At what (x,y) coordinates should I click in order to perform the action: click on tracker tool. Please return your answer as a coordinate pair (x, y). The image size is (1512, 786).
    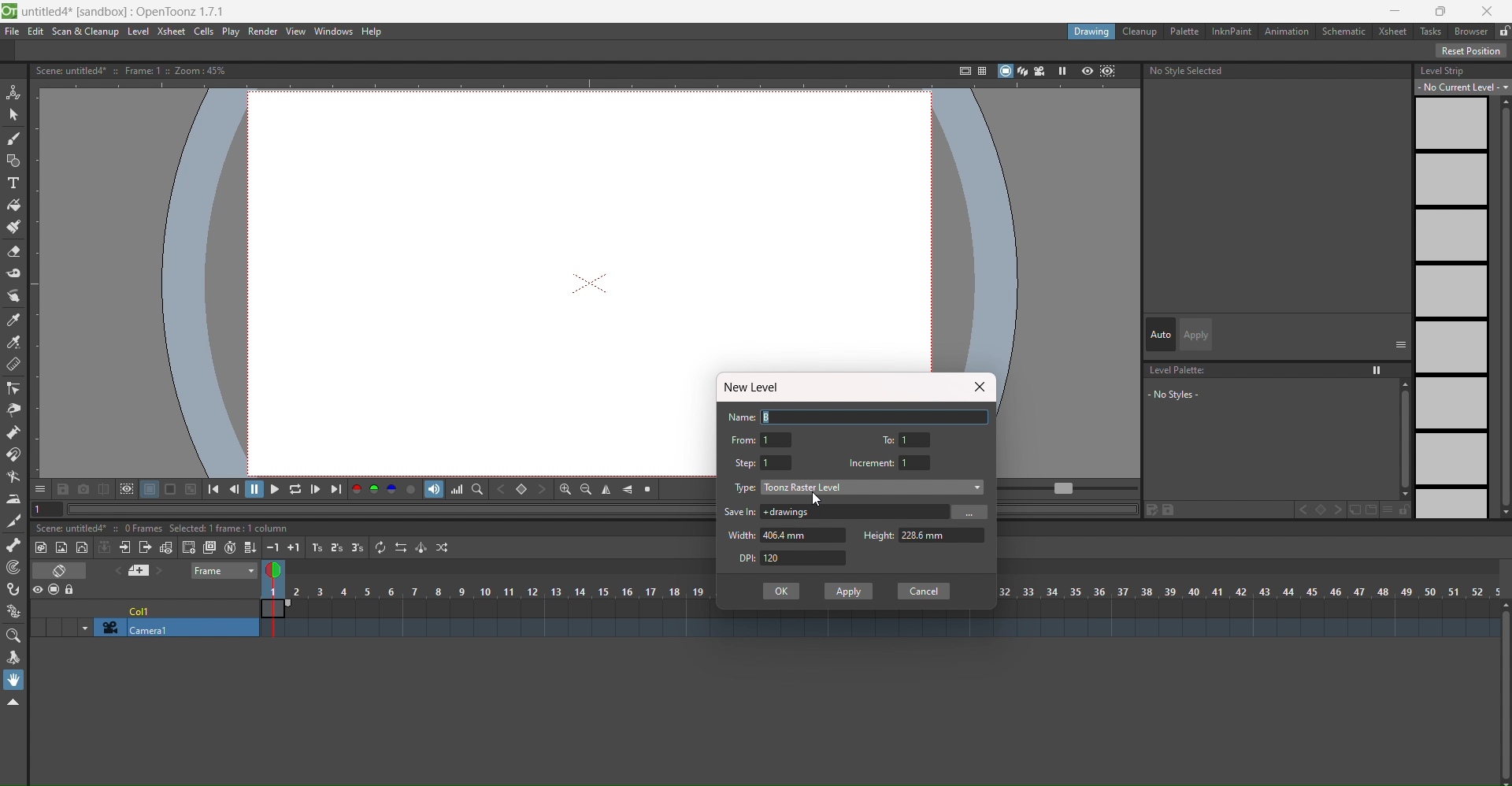
    Looking at the image, I should click on (13, 569).